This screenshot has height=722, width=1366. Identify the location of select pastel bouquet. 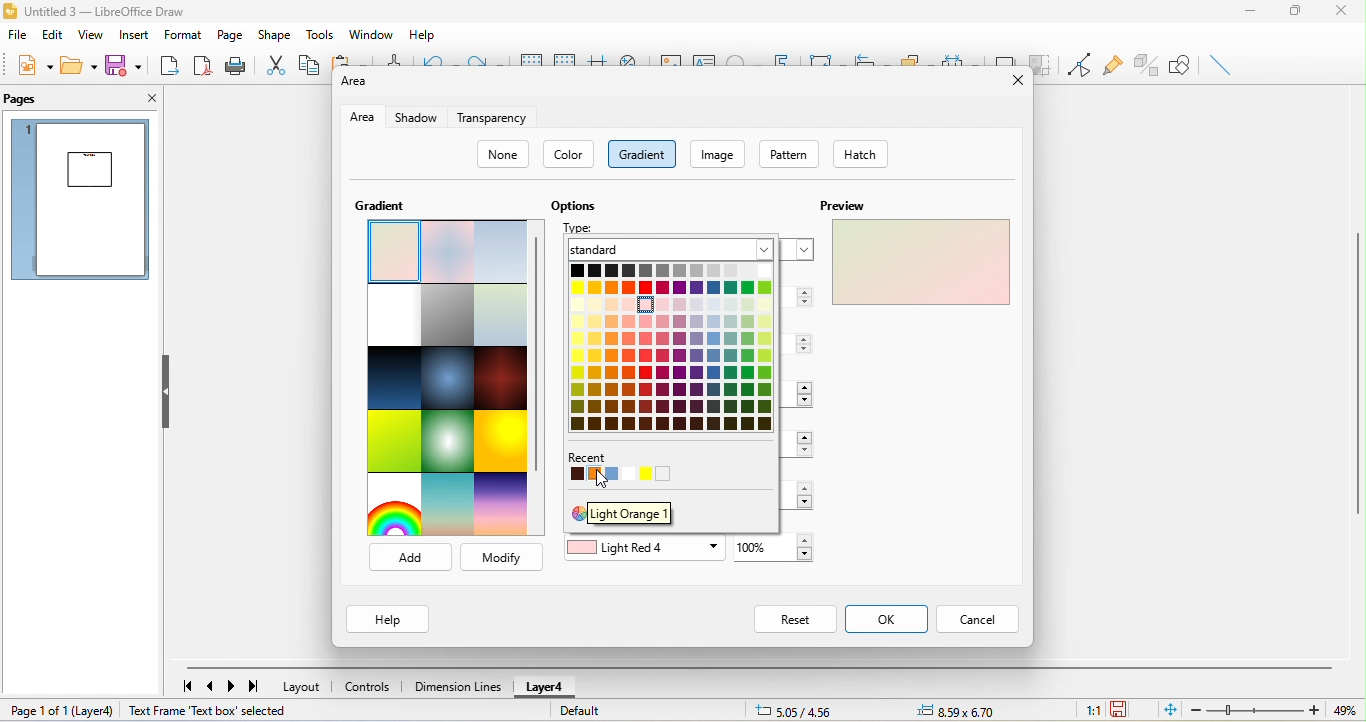
(392, 252).